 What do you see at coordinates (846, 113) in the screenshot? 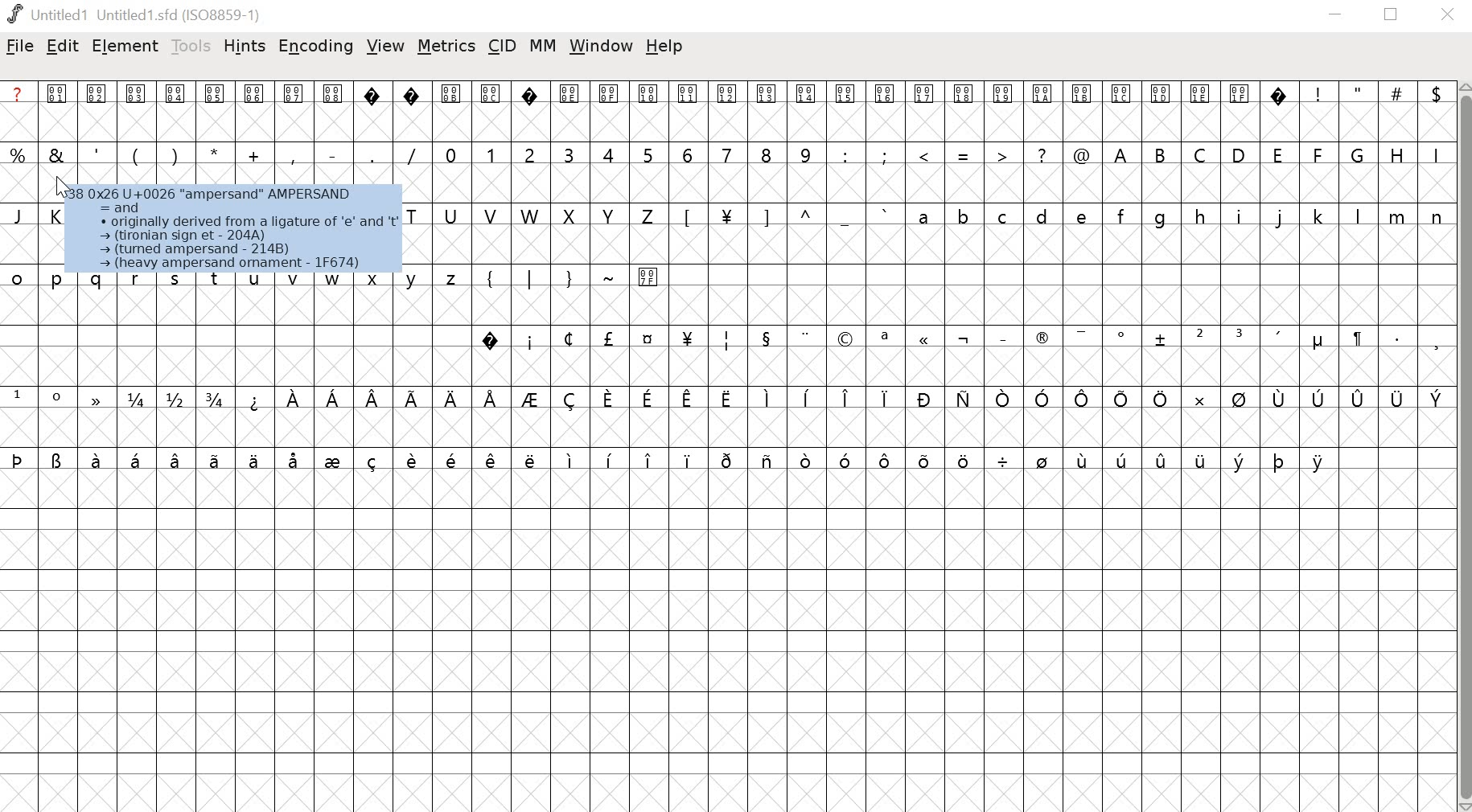
I see `0015` at bounding box center [846, 113].